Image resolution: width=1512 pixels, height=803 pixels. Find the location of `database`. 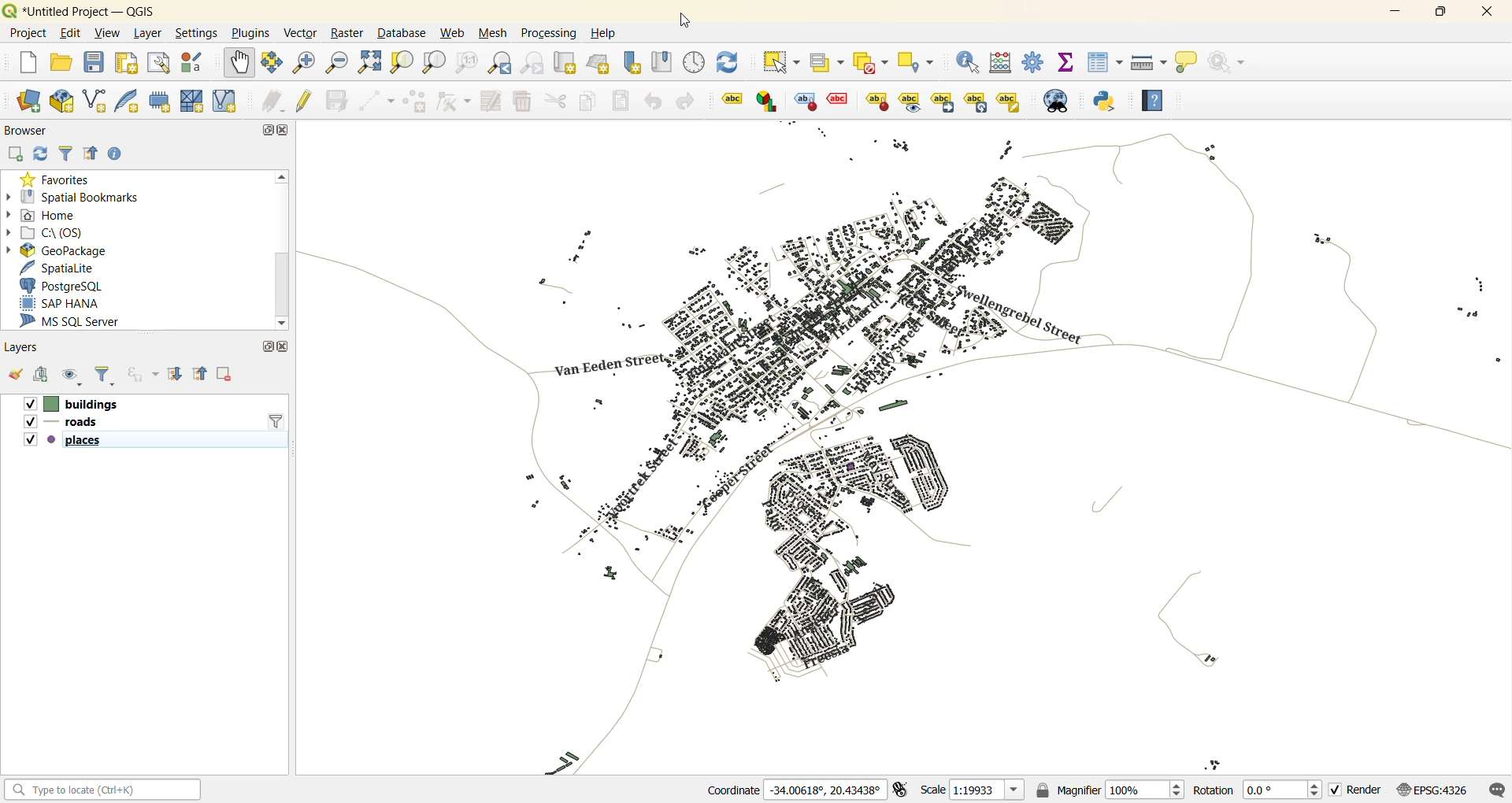

database is located at coordinates (401, 34).